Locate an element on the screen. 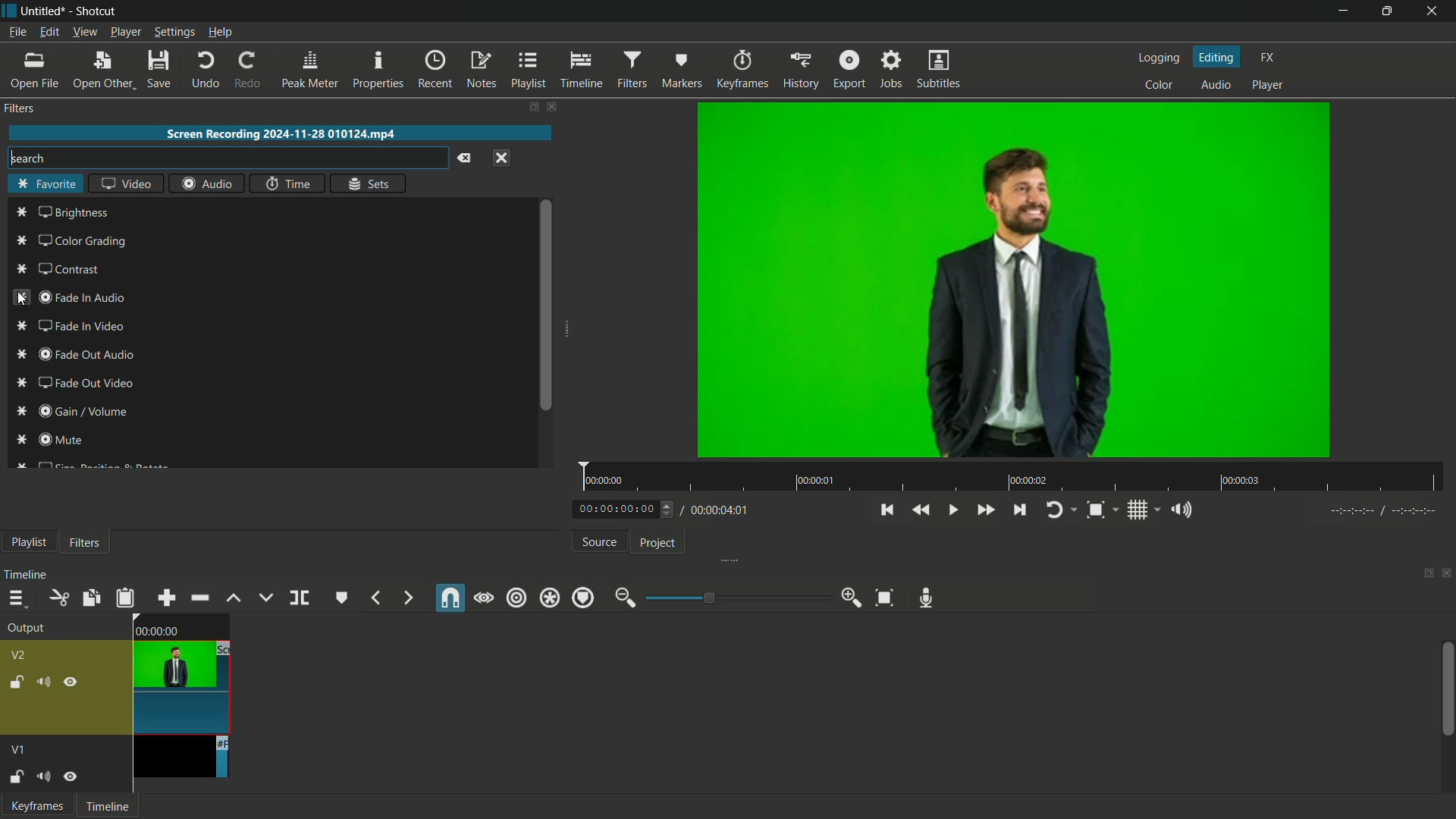  fade in audio is located at coordinates (71, 297).